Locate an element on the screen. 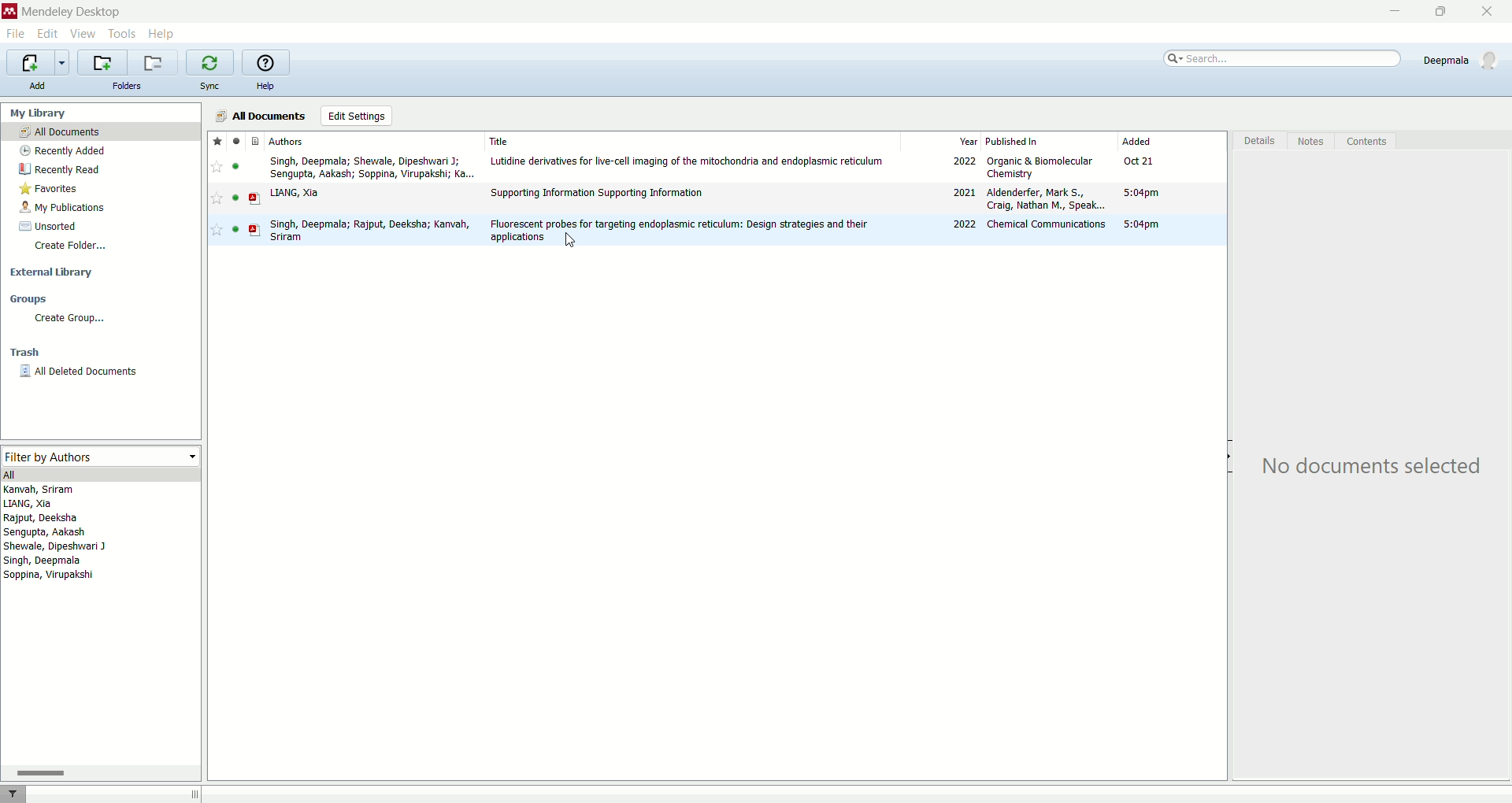  folders is located at coordinates (128, 87).